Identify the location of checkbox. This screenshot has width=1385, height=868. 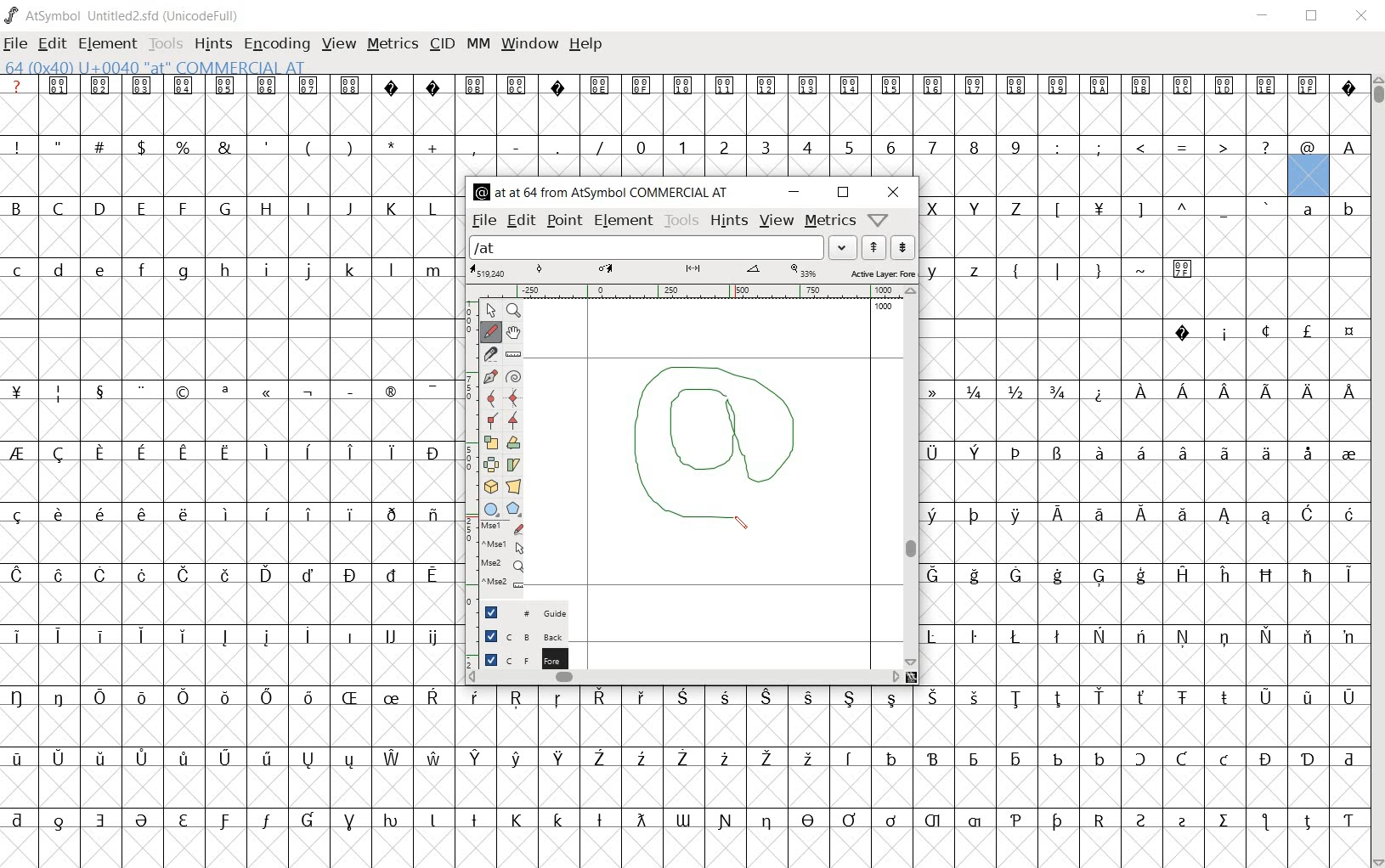
(489, 612).